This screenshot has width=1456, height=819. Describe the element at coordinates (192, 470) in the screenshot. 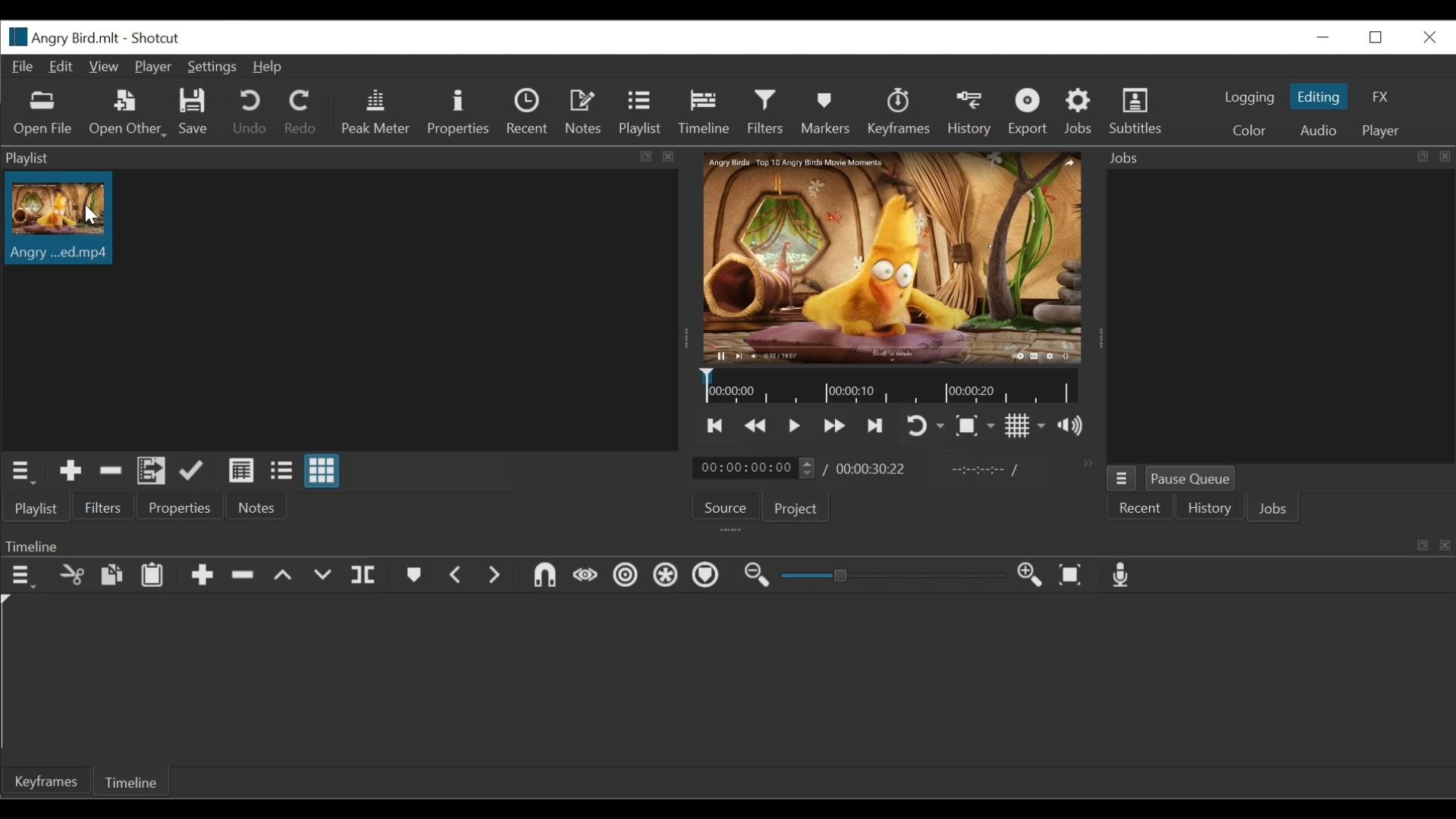

I see `Update` at that location.